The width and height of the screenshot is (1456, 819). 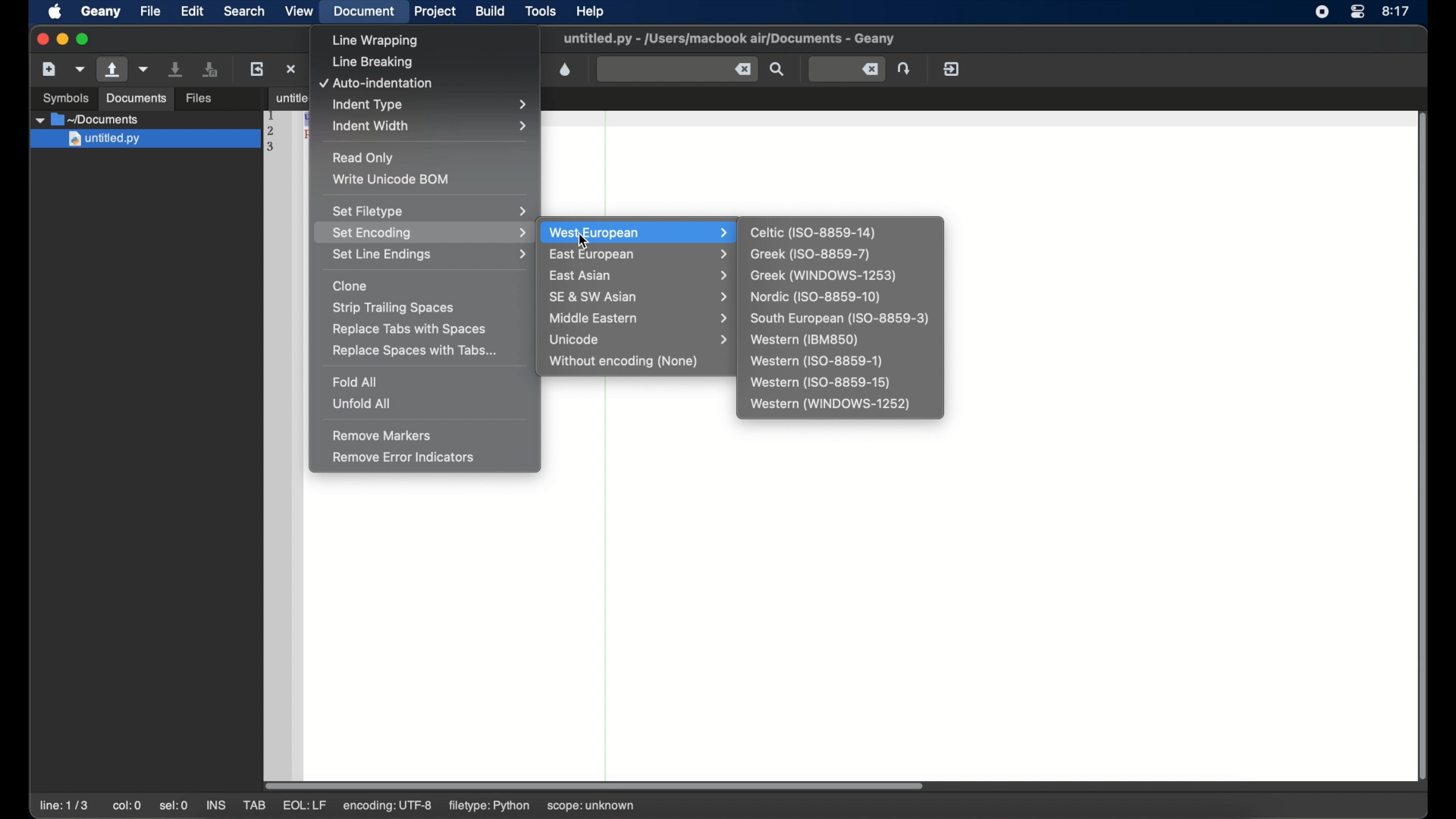 I want to click on replace spaces with tabs, so click(x=416, y=351).